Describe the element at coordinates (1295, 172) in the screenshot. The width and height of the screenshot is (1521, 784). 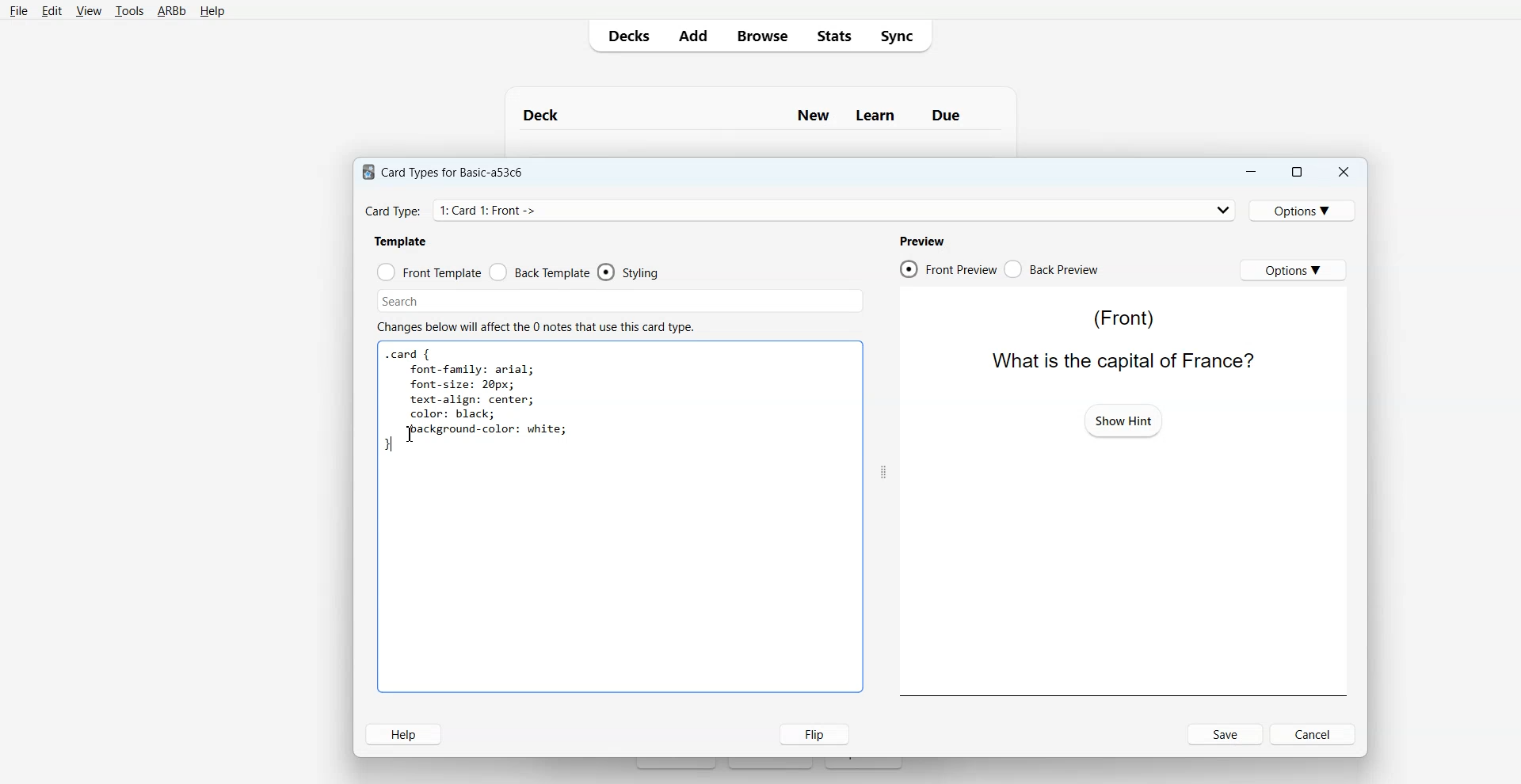
I see `Maximize` at that location.